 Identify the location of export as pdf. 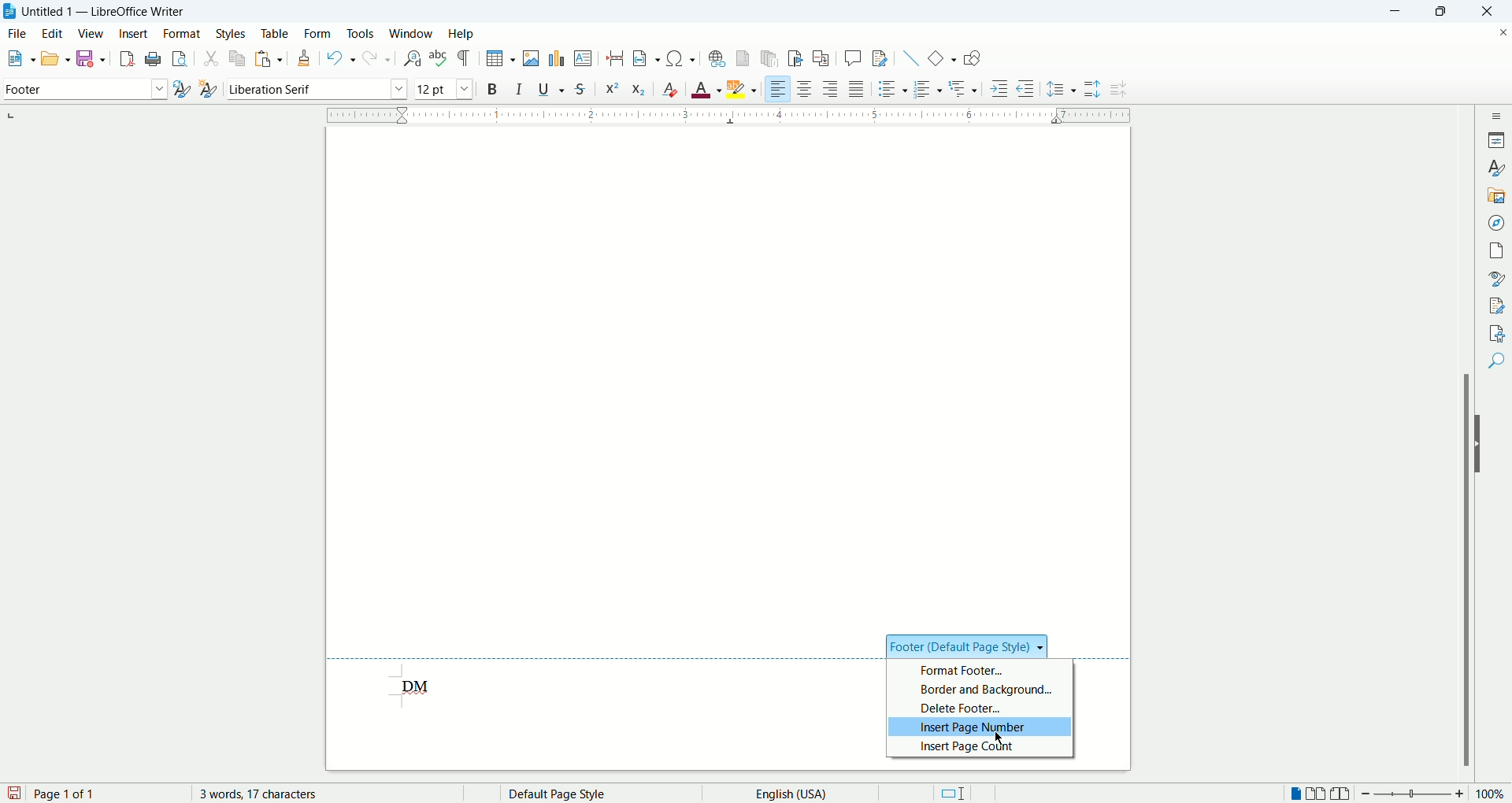
(124, 58).